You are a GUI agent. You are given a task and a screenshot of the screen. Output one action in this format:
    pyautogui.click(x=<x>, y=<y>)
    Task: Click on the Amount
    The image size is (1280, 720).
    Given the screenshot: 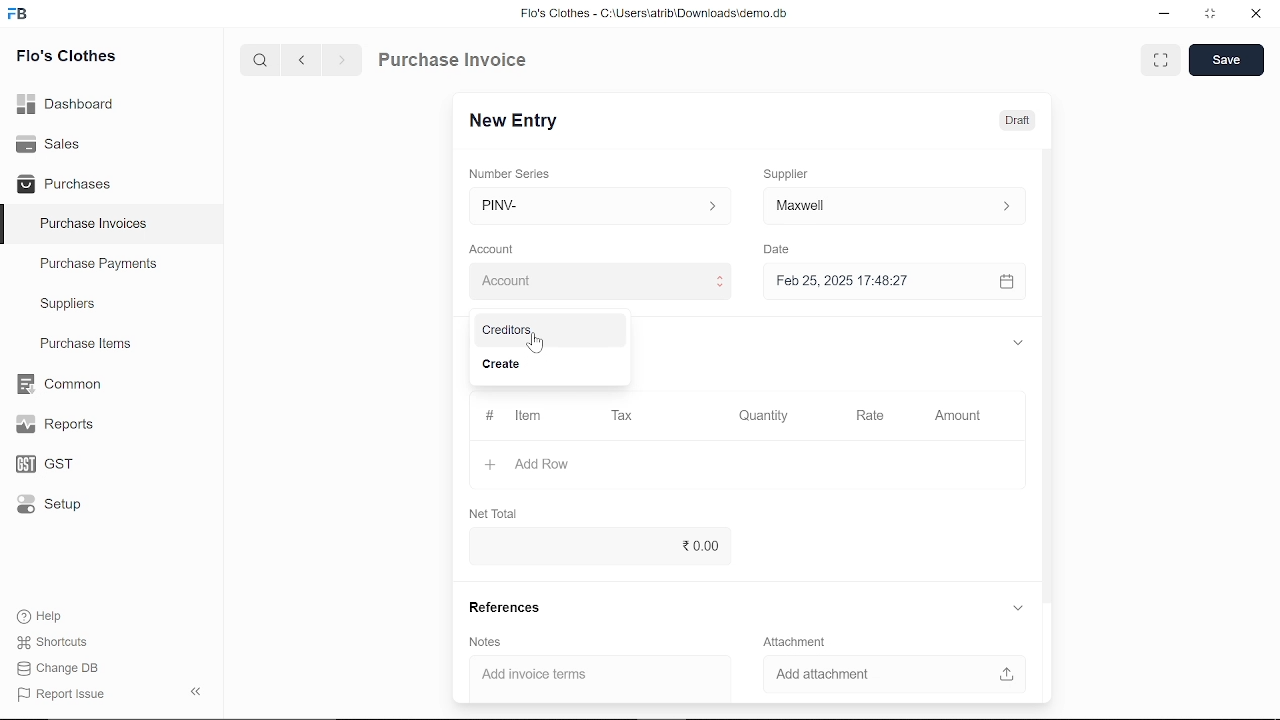 What is the action you would take?
    pyautogui.click(x=956, y=414)
    